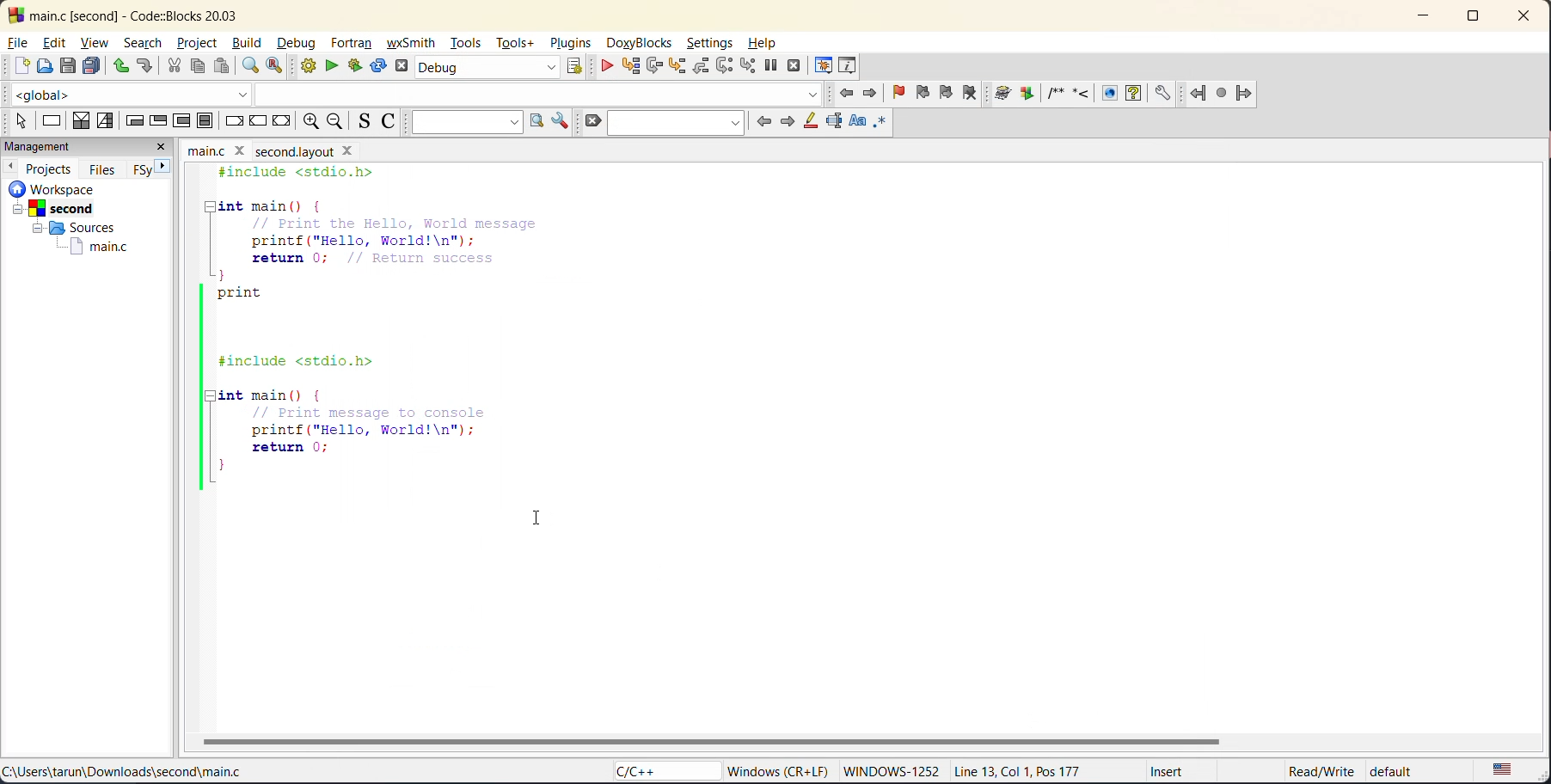  What do you see at coordinates (568, 44) in the screenshot?
I see `plugins` at bounding box center [568, 44].